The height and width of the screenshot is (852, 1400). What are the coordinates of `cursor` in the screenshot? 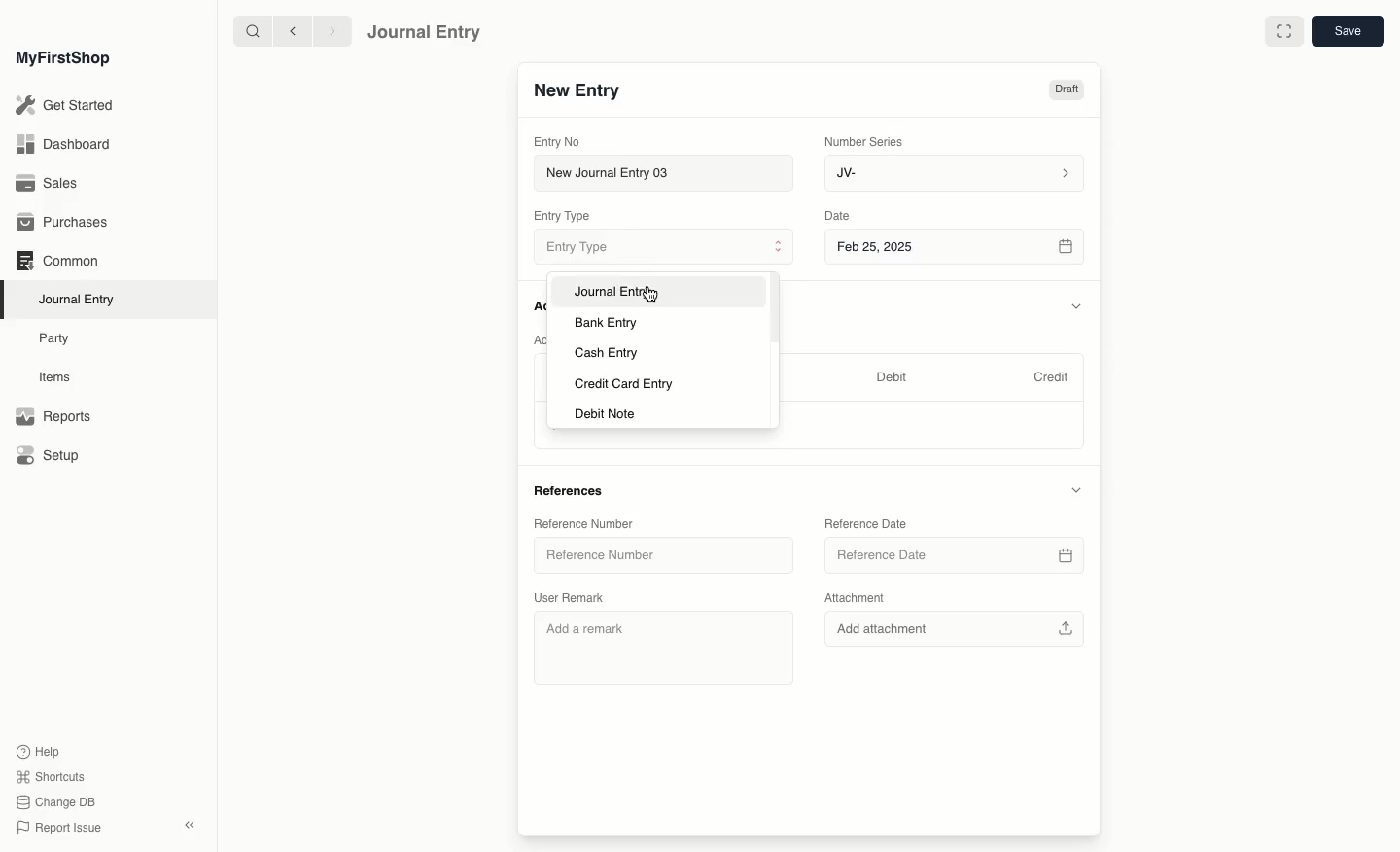 It's located at (655, 294).